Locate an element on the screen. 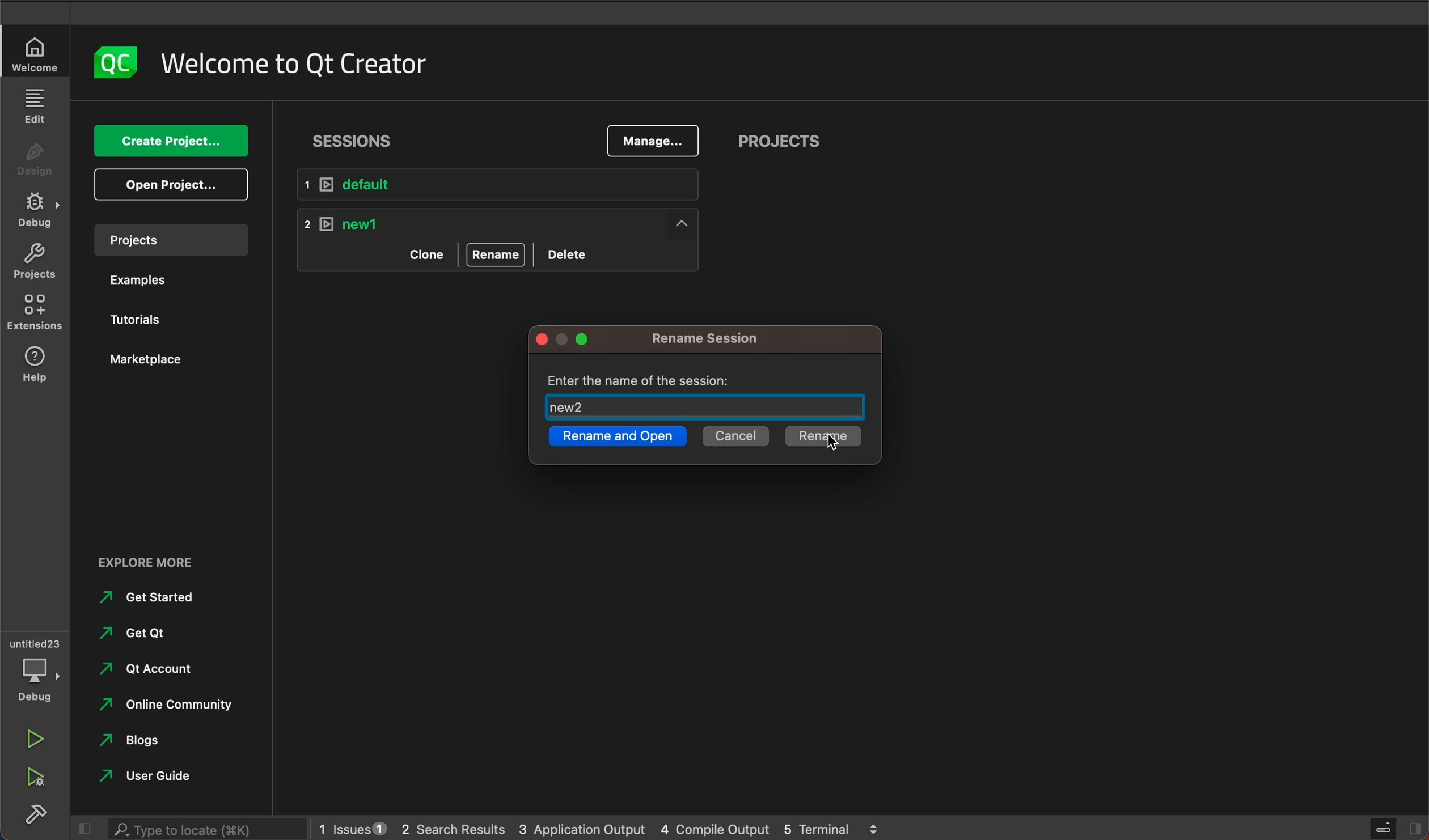 The width and height of the screenshot is (1429, 840). projects is located at coordinates (780, 143).